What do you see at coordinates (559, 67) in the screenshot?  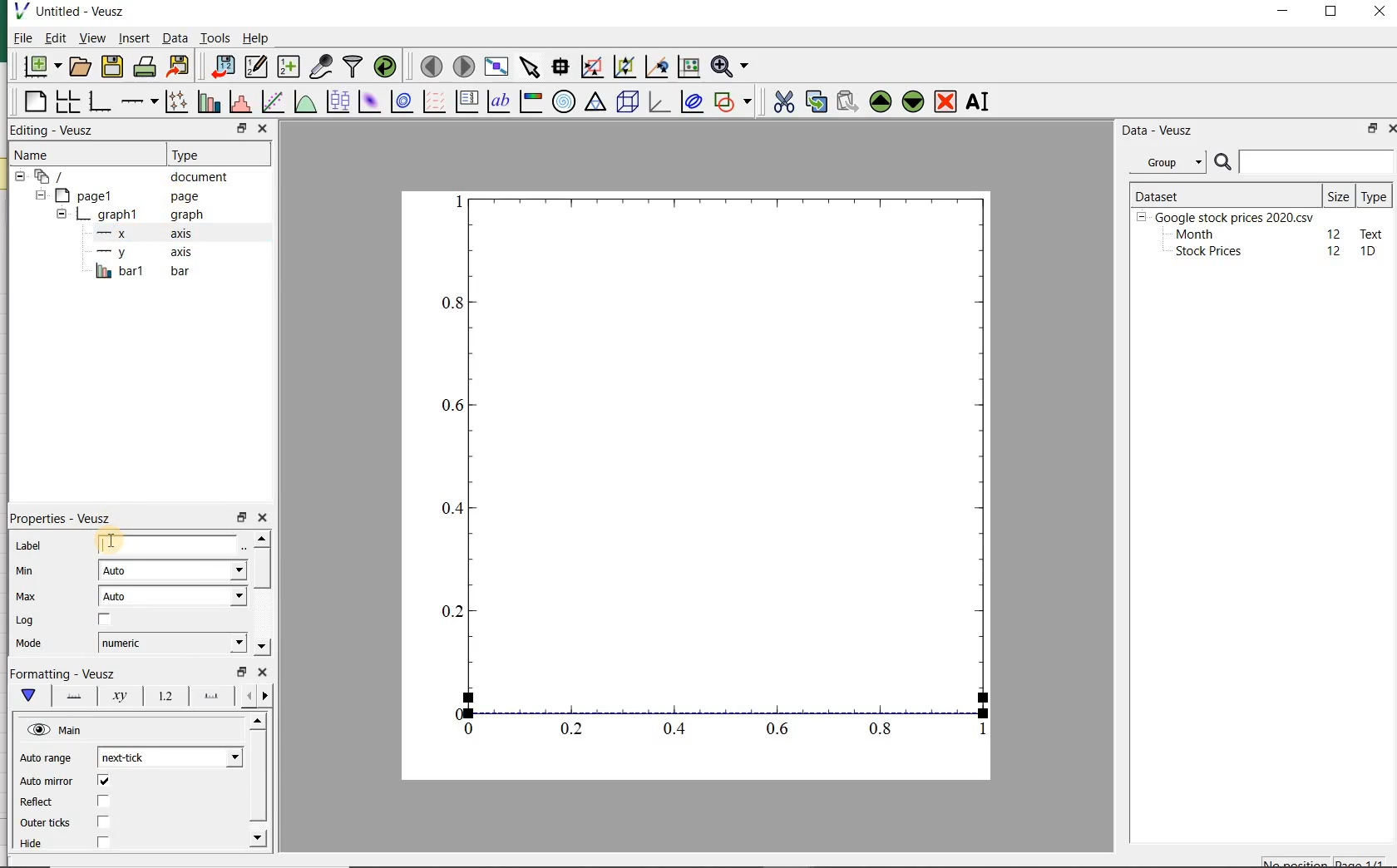 I see `read data points on the graph` at bounding box center [559, 67].